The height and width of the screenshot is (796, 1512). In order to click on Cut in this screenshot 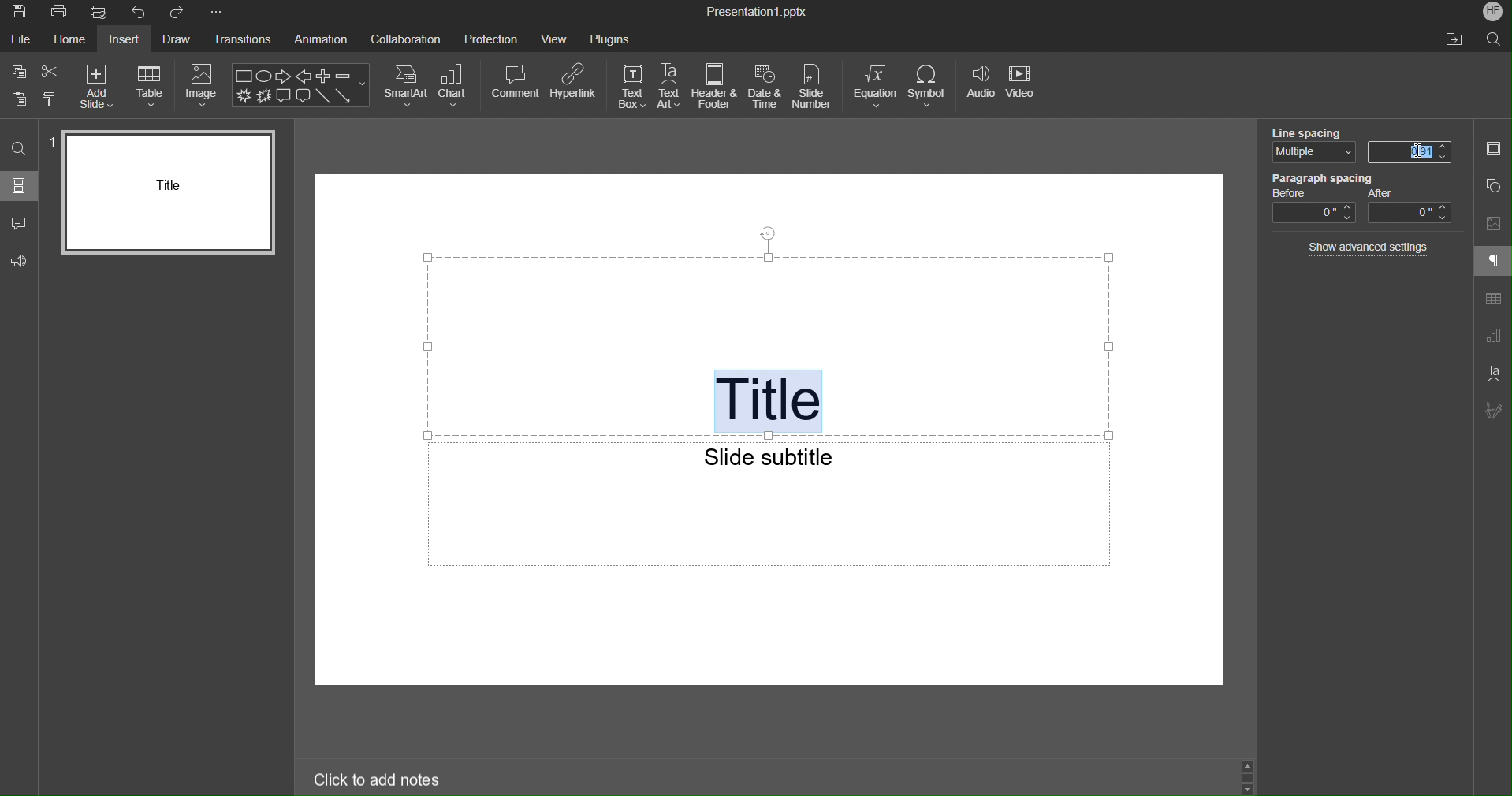, I will do `click(51, 70)`.